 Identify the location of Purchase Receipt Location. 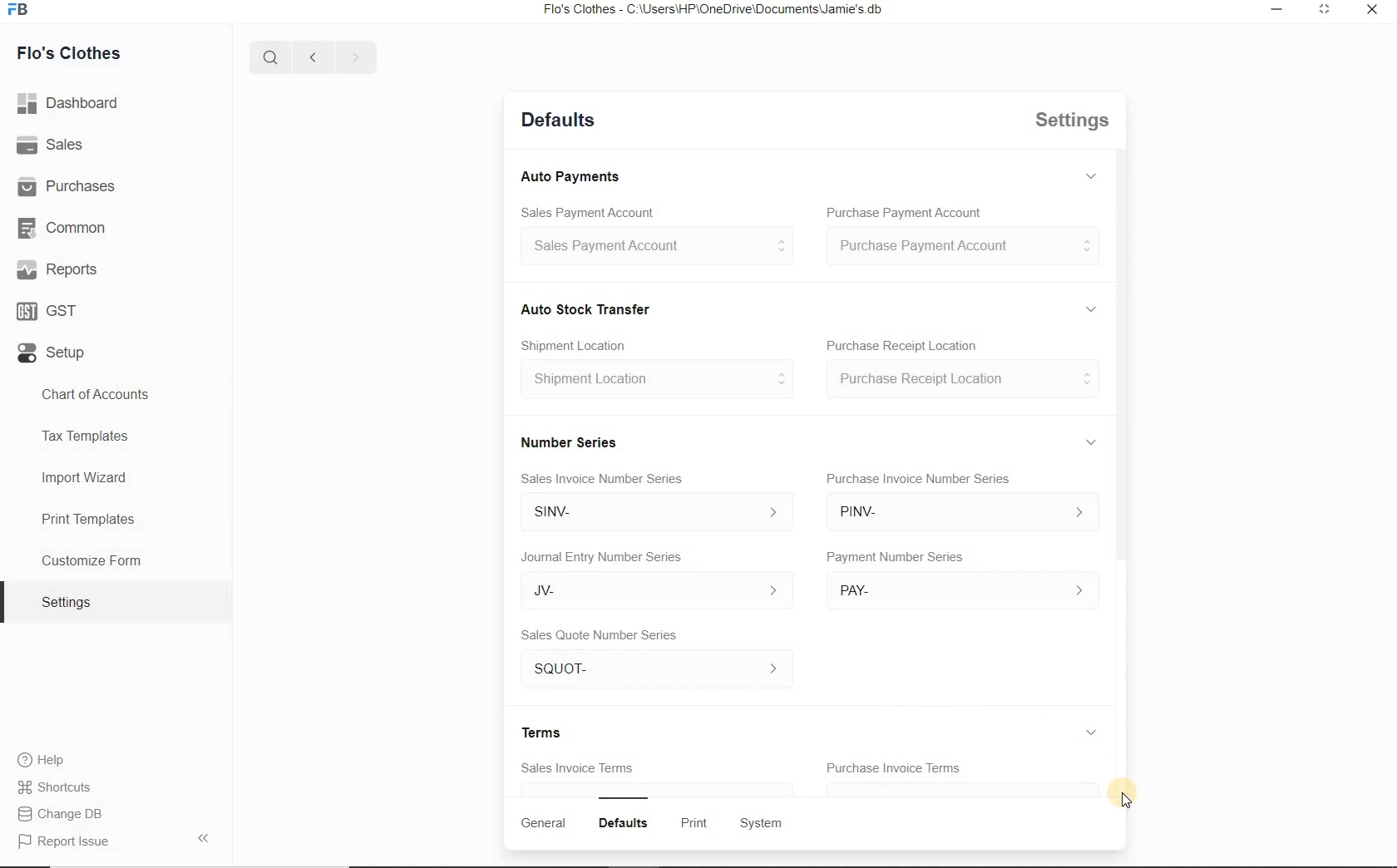
(960, 379).